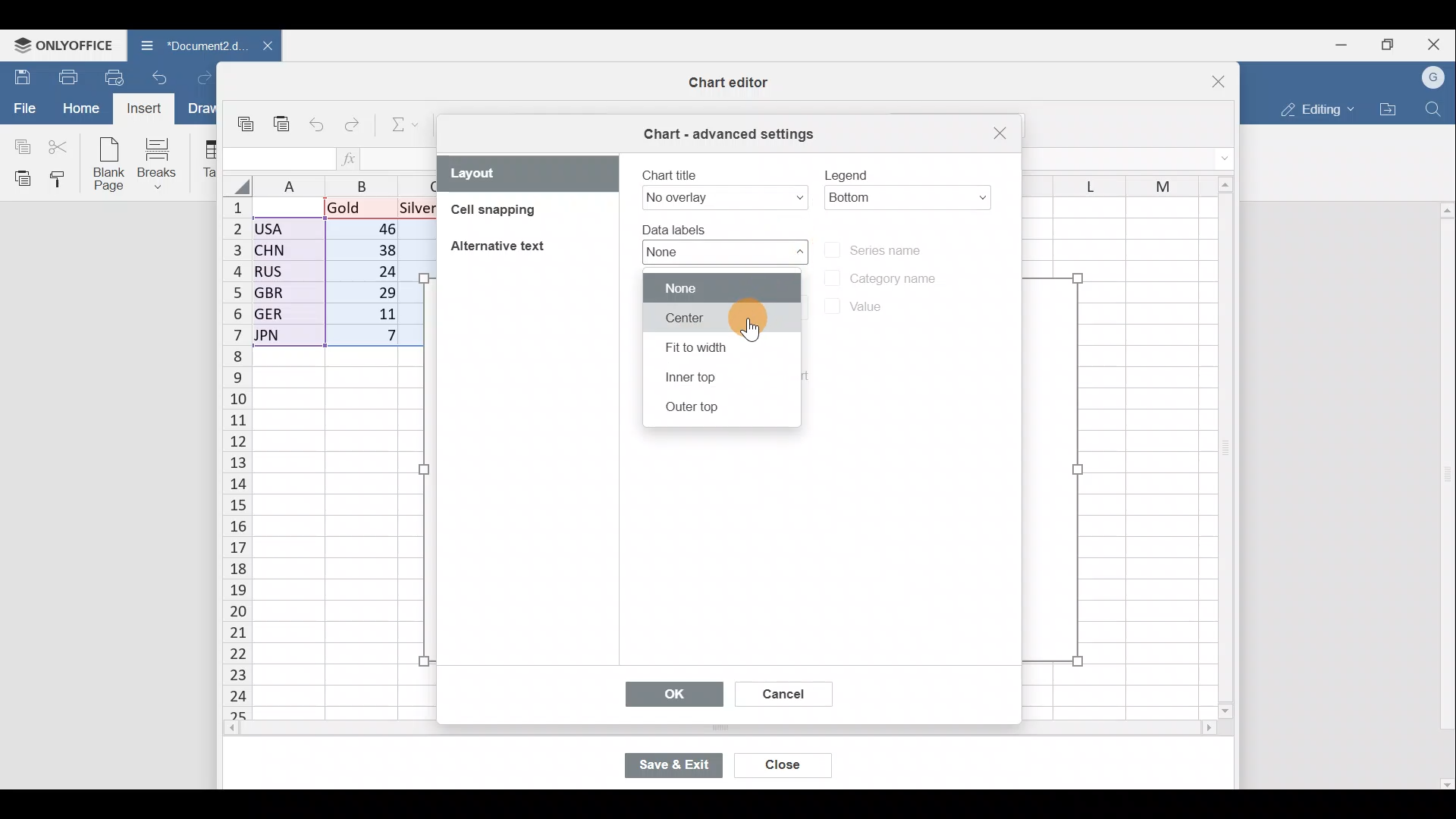 This screenshot has height=819, width=1456. What do you see at coordinates (852, 309) in the screenshot?
I see `Value` at bounding box center [852, 309].